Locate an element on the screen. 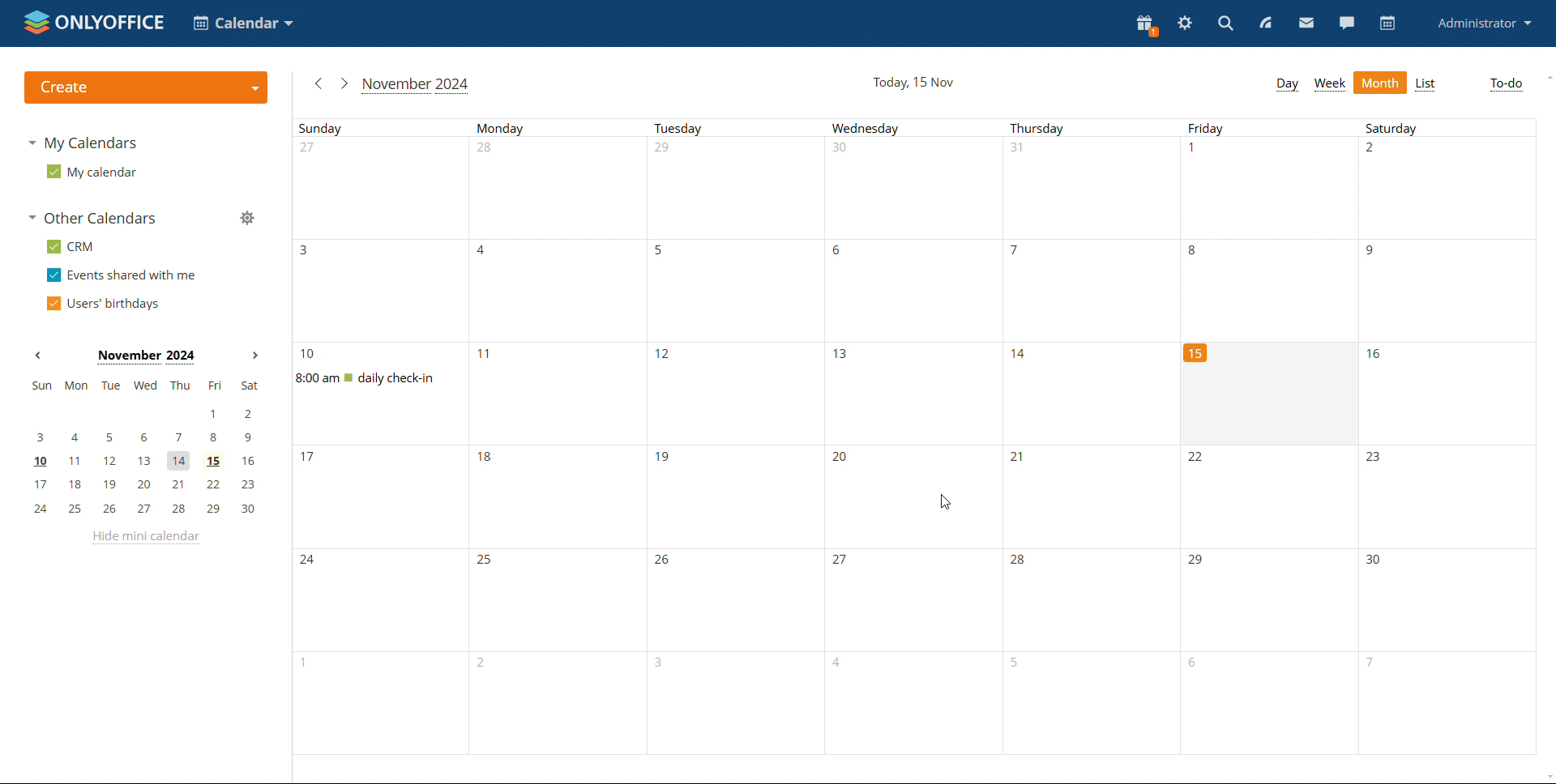 Image resolution: width=1556 pixels, height=784 pixels. events shared with me is located at coordinates (121, 275).